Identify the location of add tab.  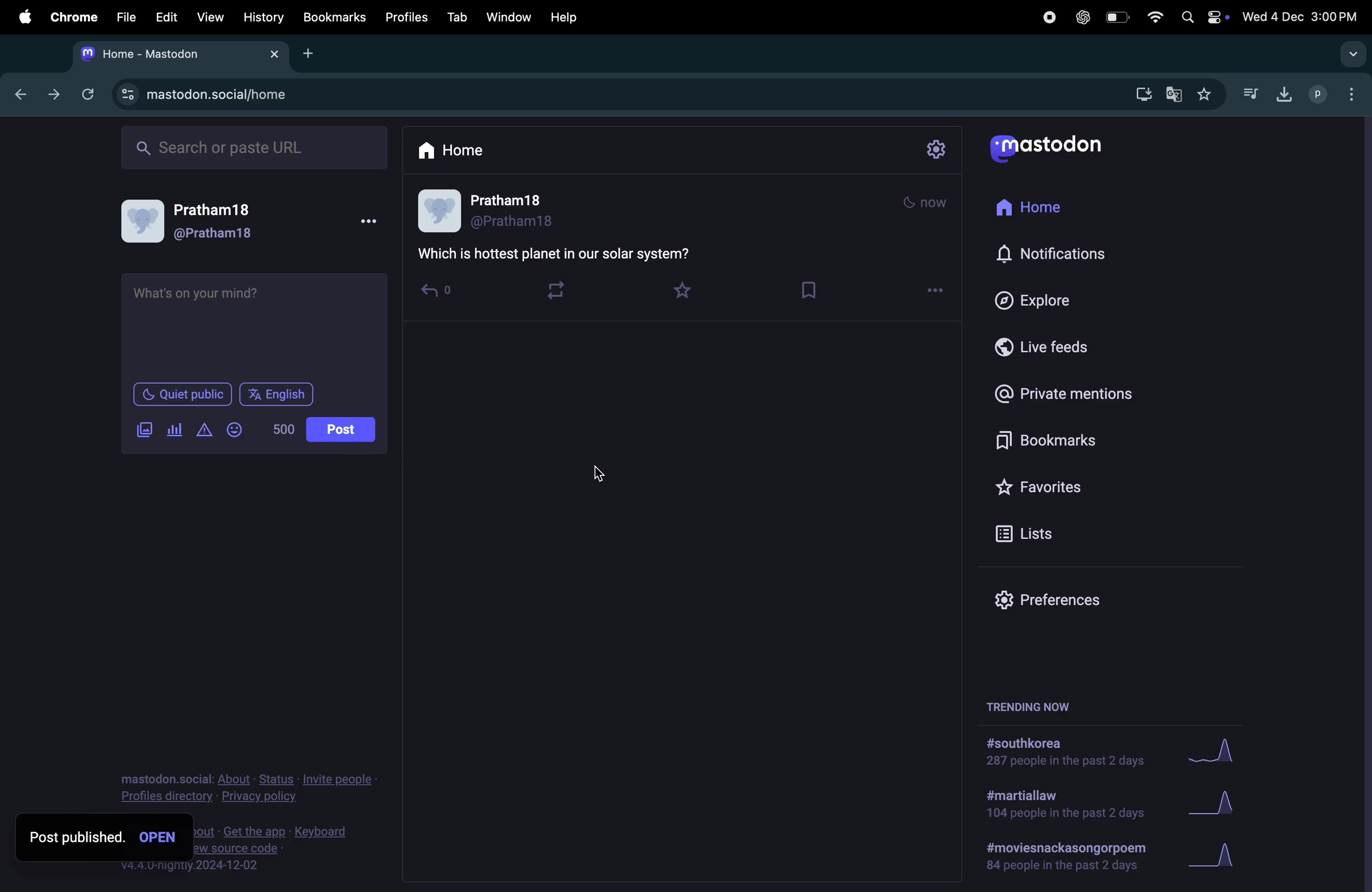
(315, 55).